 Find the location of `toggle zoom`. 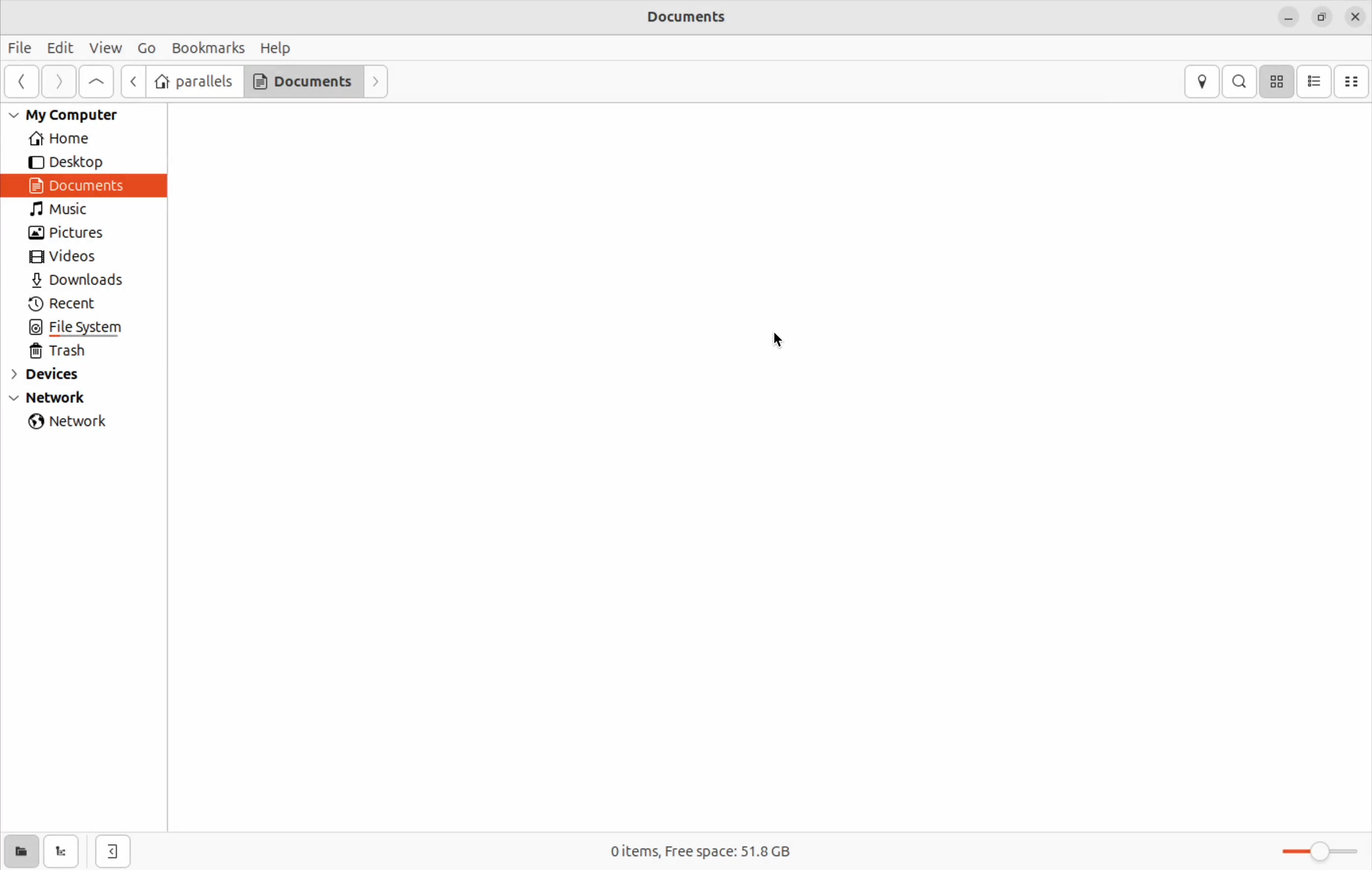

toggle zoom is located at coordinates (1318, 848).